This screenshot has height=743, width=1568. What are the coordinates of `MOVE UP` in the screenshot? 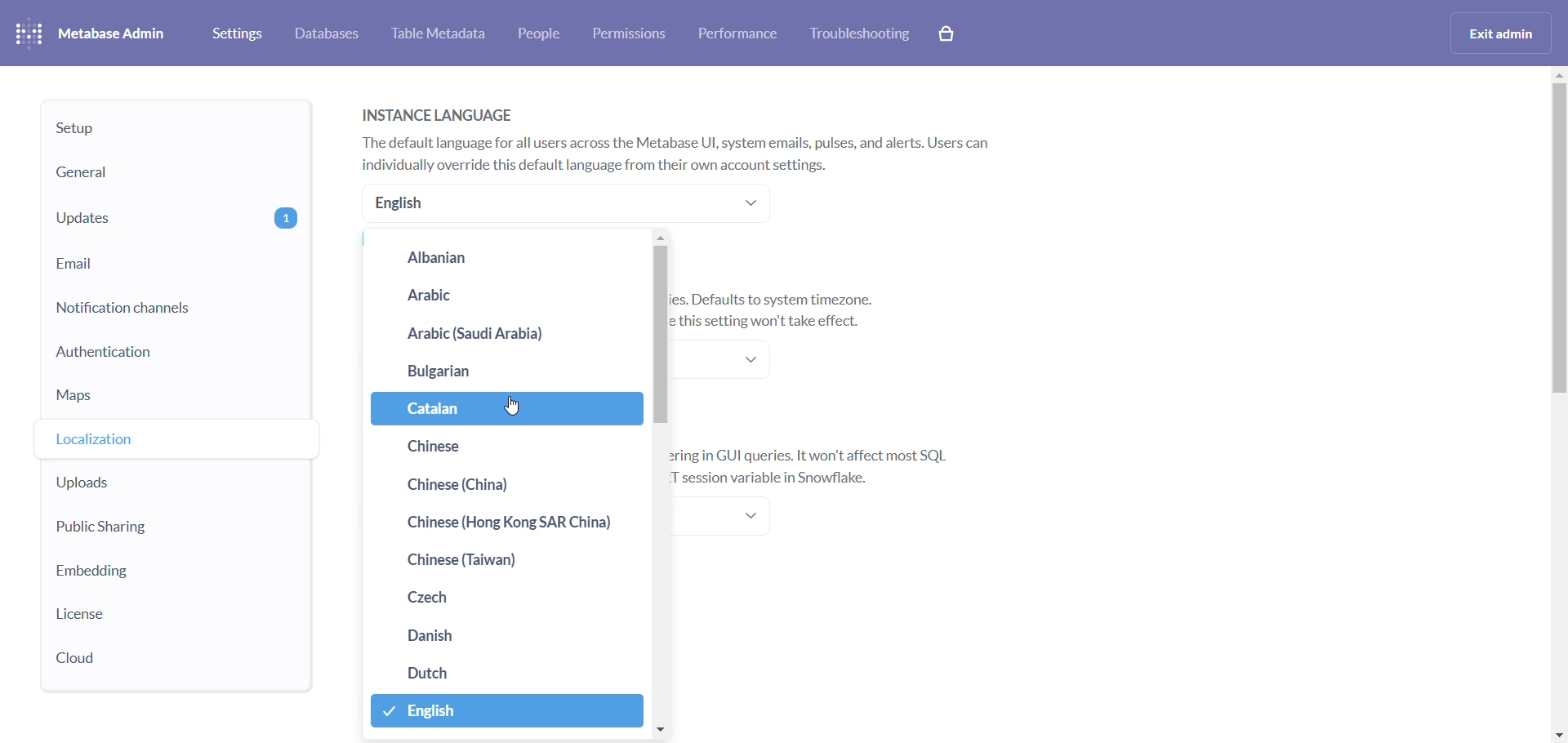 It's located at (1558, 78).